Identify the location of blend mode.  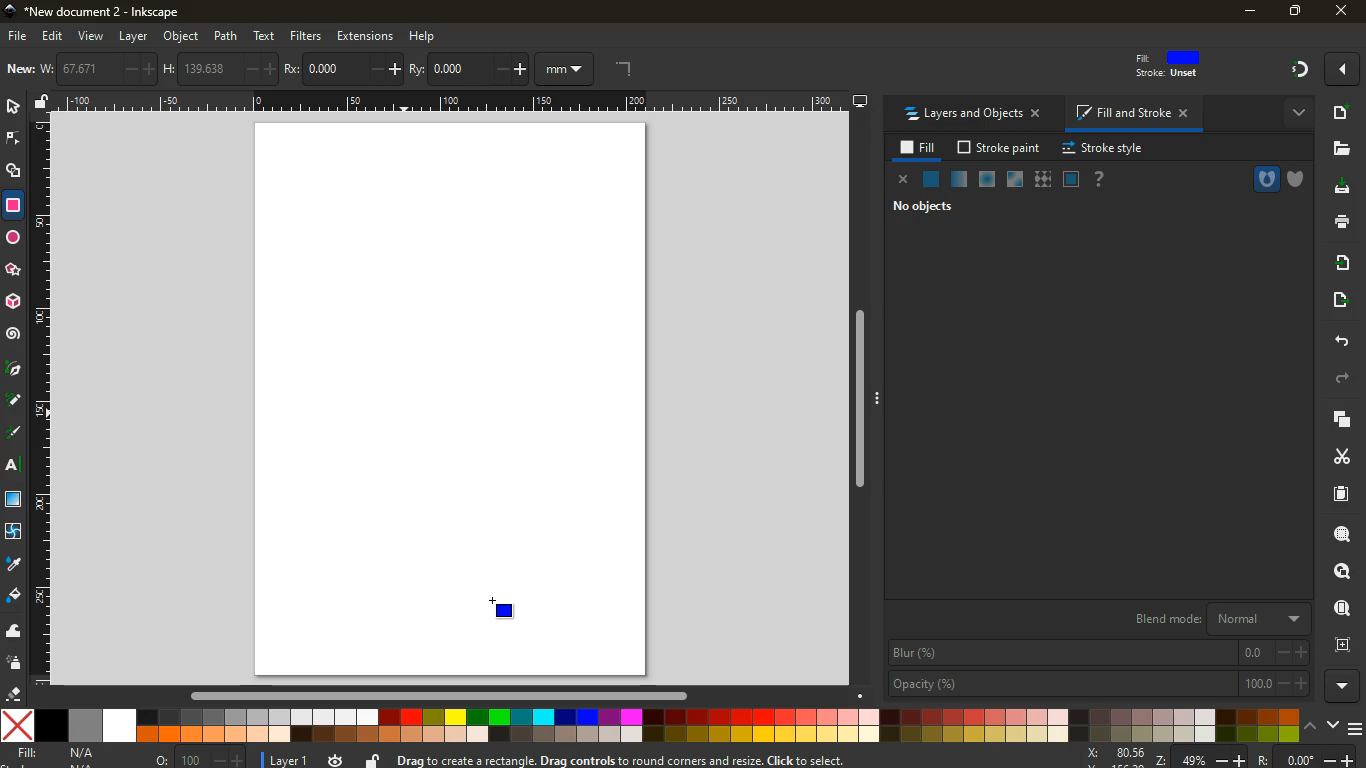
(1221, 619).